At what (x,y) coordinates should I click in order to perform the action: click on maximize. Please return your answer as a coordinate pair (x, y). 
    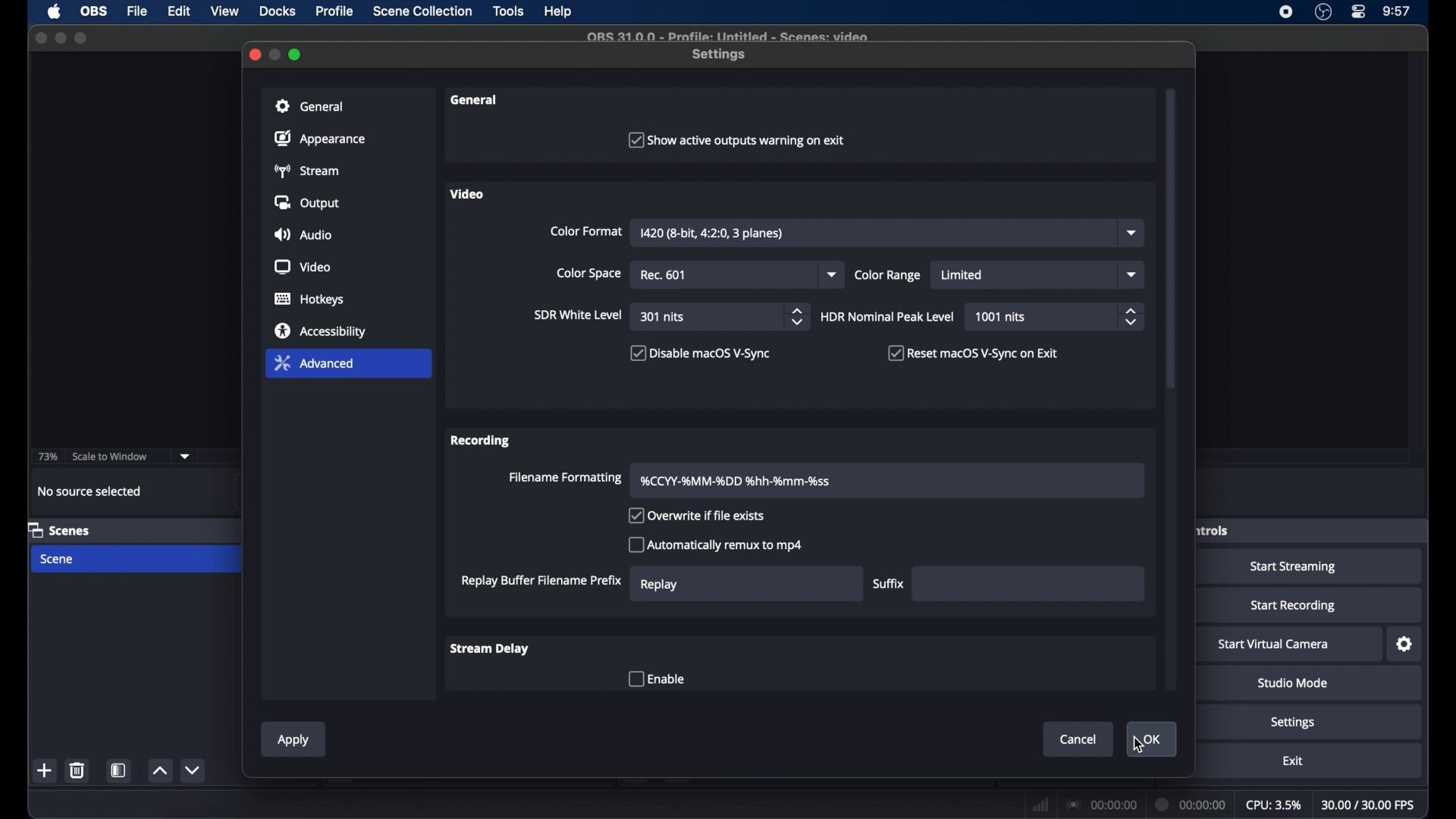
    Looking at the image, I should click on (297, 54).